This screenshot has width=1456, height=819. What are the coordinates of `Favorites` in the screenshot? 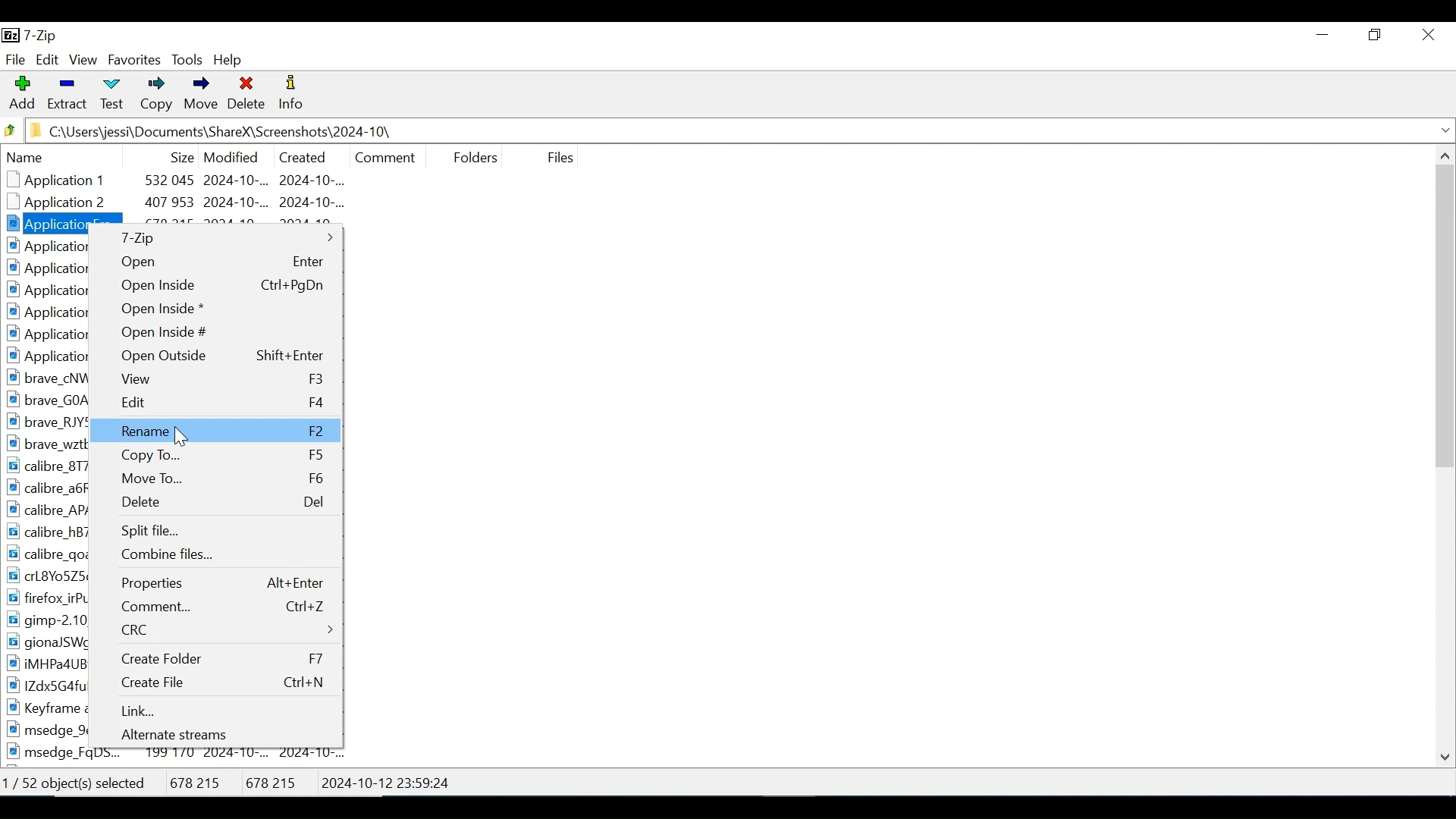 It's located at (133, 60).